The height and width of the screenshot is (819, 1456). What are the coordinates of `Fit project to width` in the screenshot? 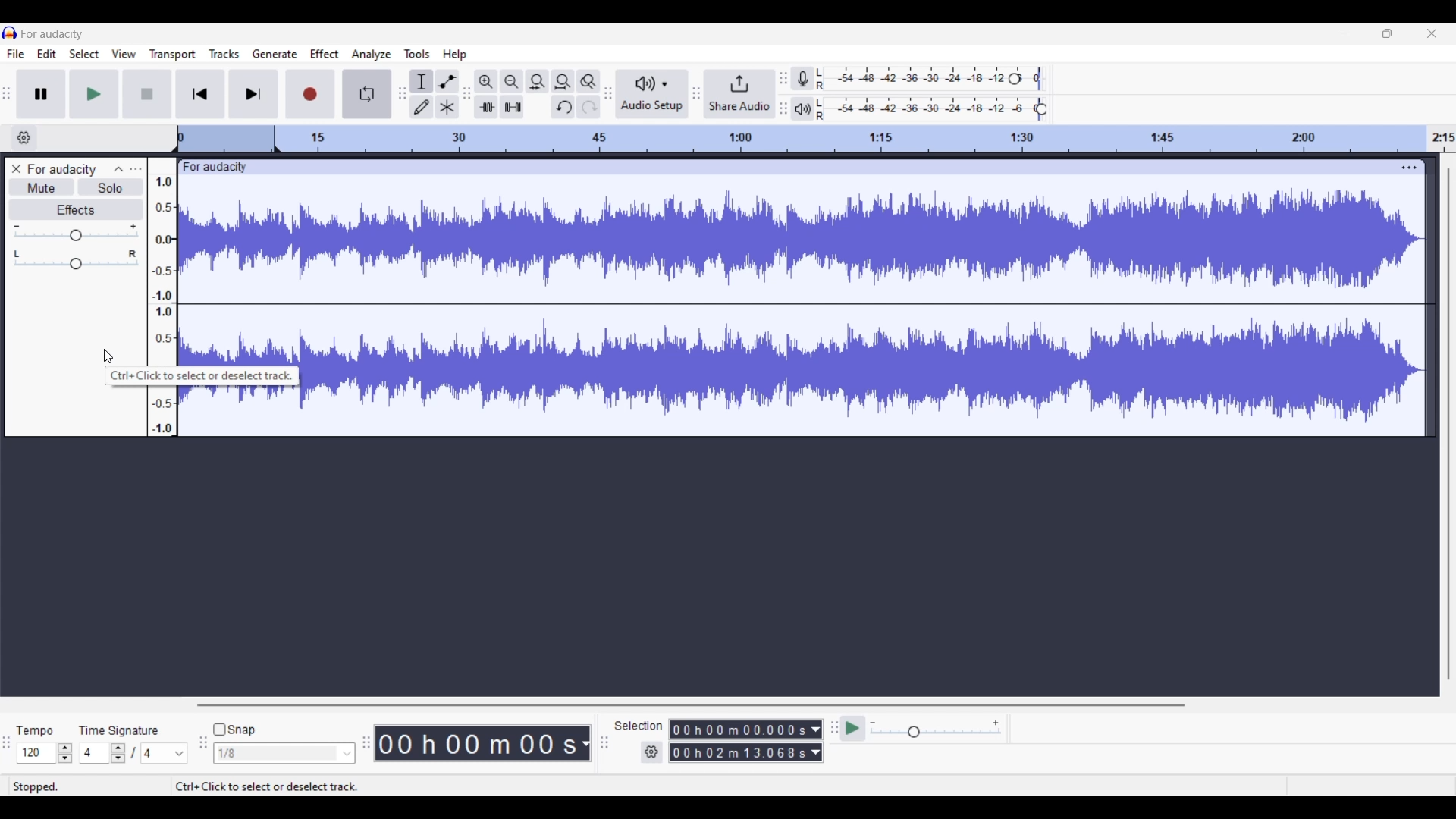 It's located at (563, 82).